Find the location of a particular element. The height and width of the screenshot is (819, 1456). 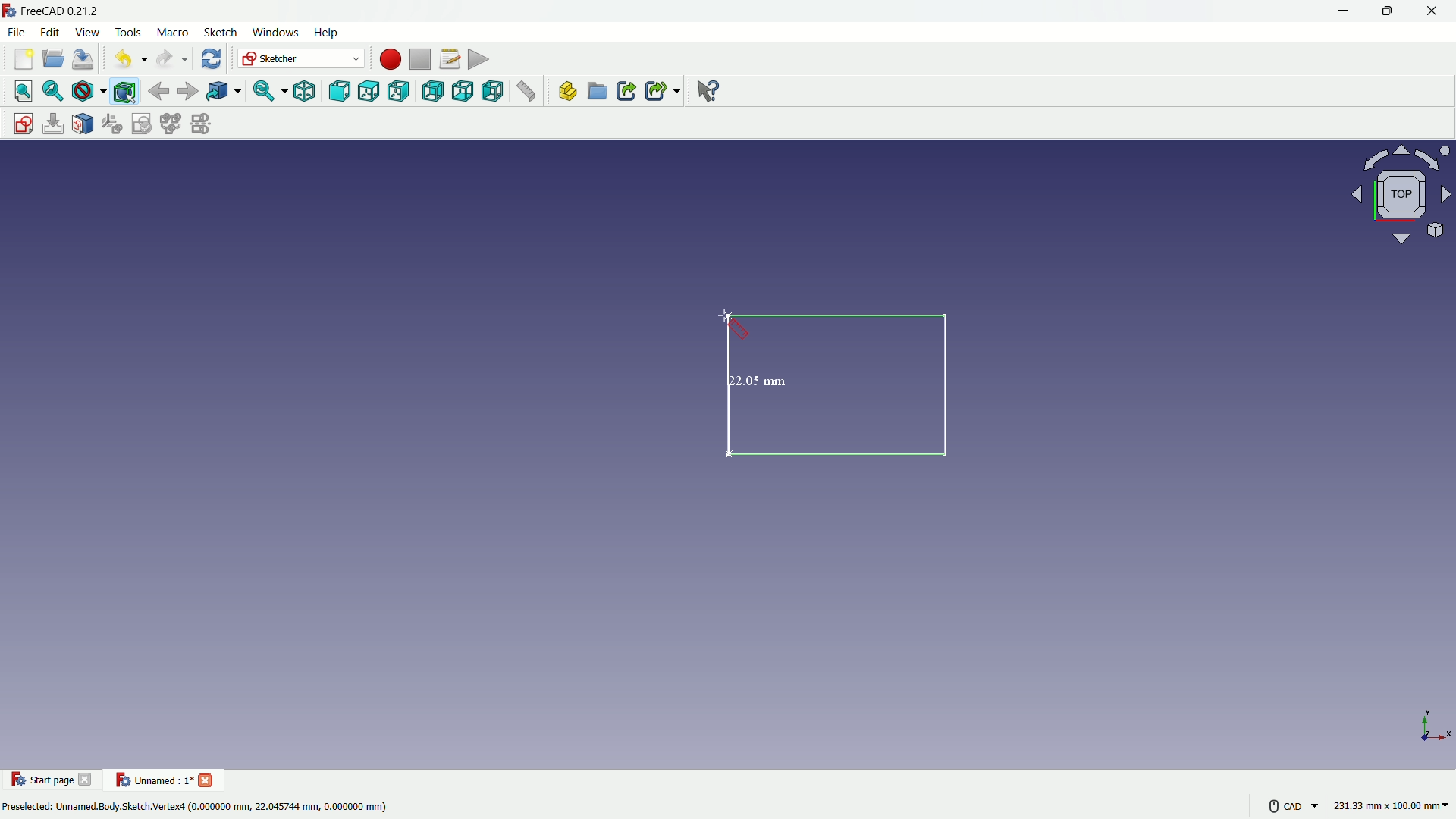

maximize or restore is located at coordinates (1389, 11).